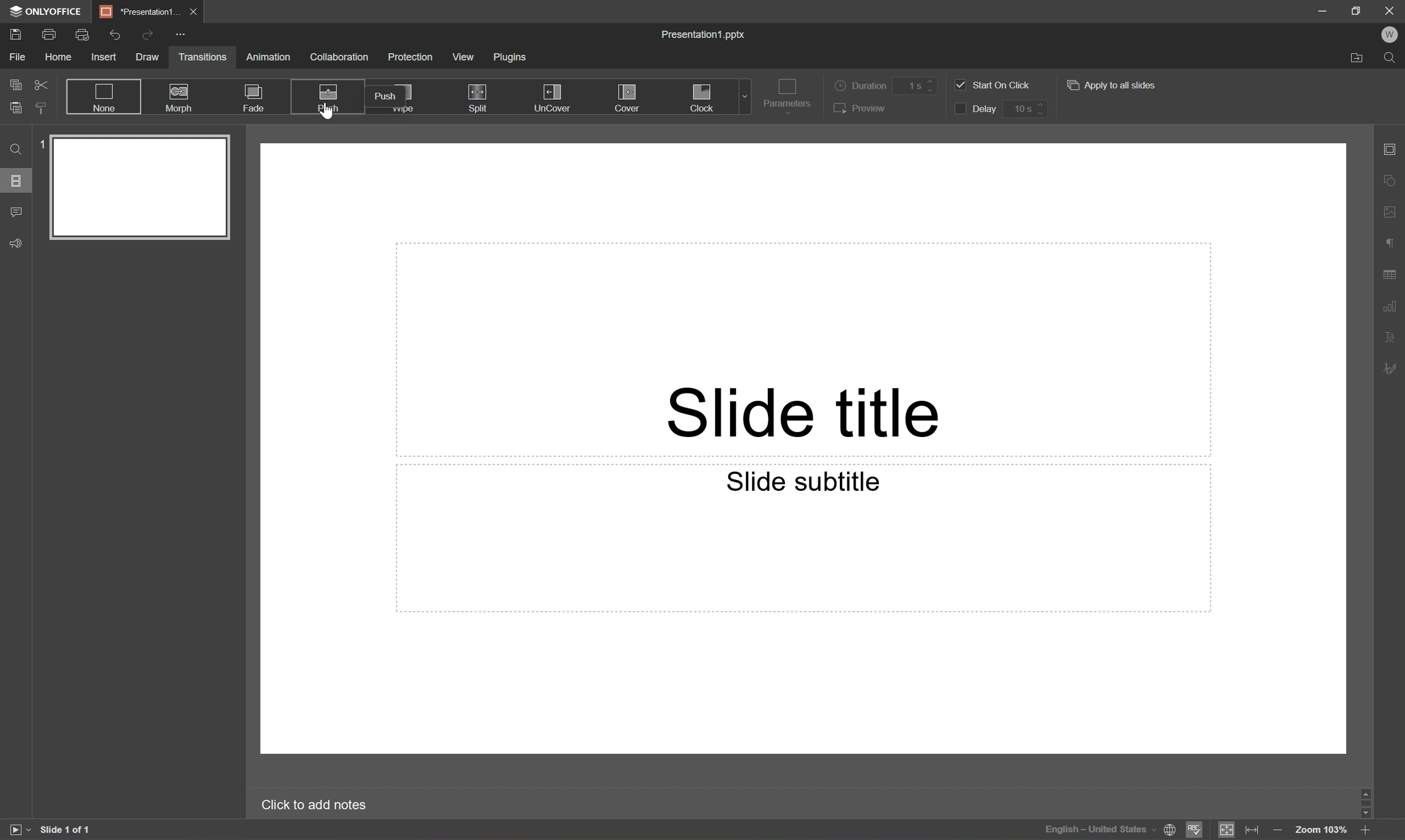 The image size is (1405, 840). Describe the element at coordinates (1278, 832) in the screenshot. I see `Zoom out` at that location.